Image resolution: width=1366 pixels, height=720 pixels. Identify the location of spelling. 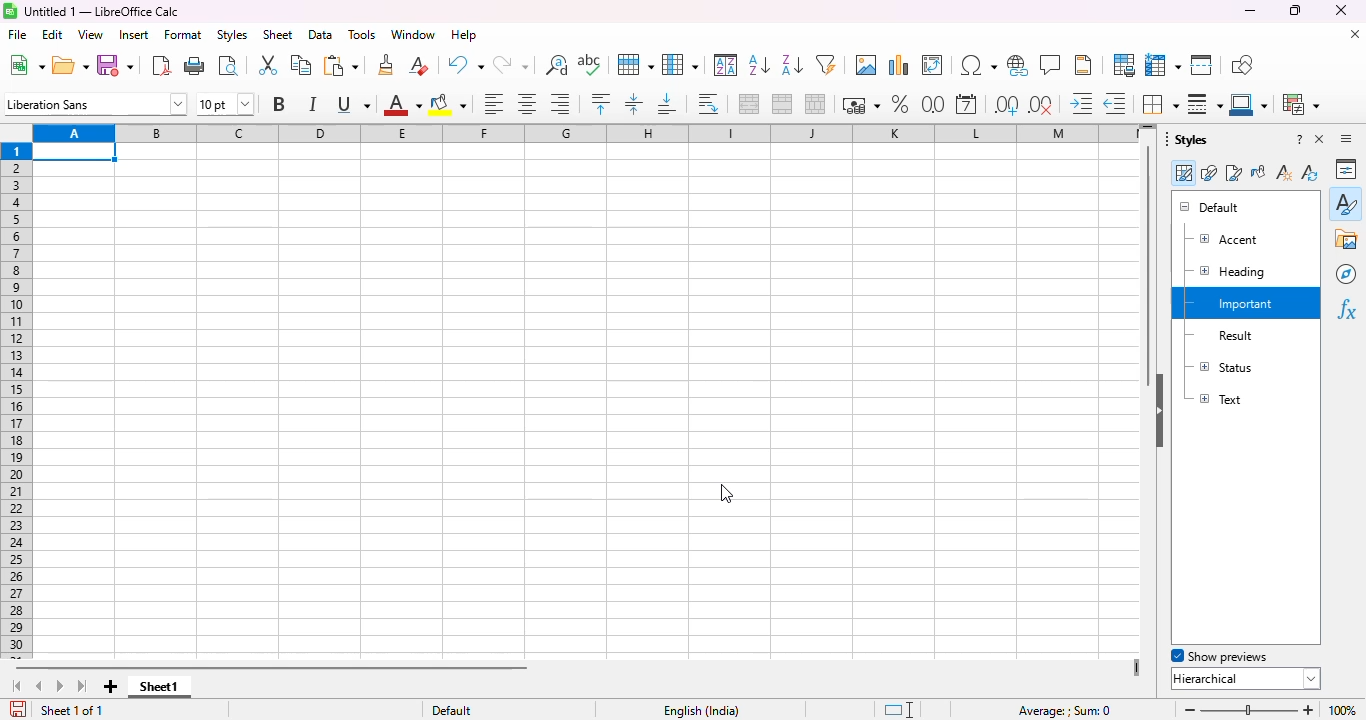
(590, 64).